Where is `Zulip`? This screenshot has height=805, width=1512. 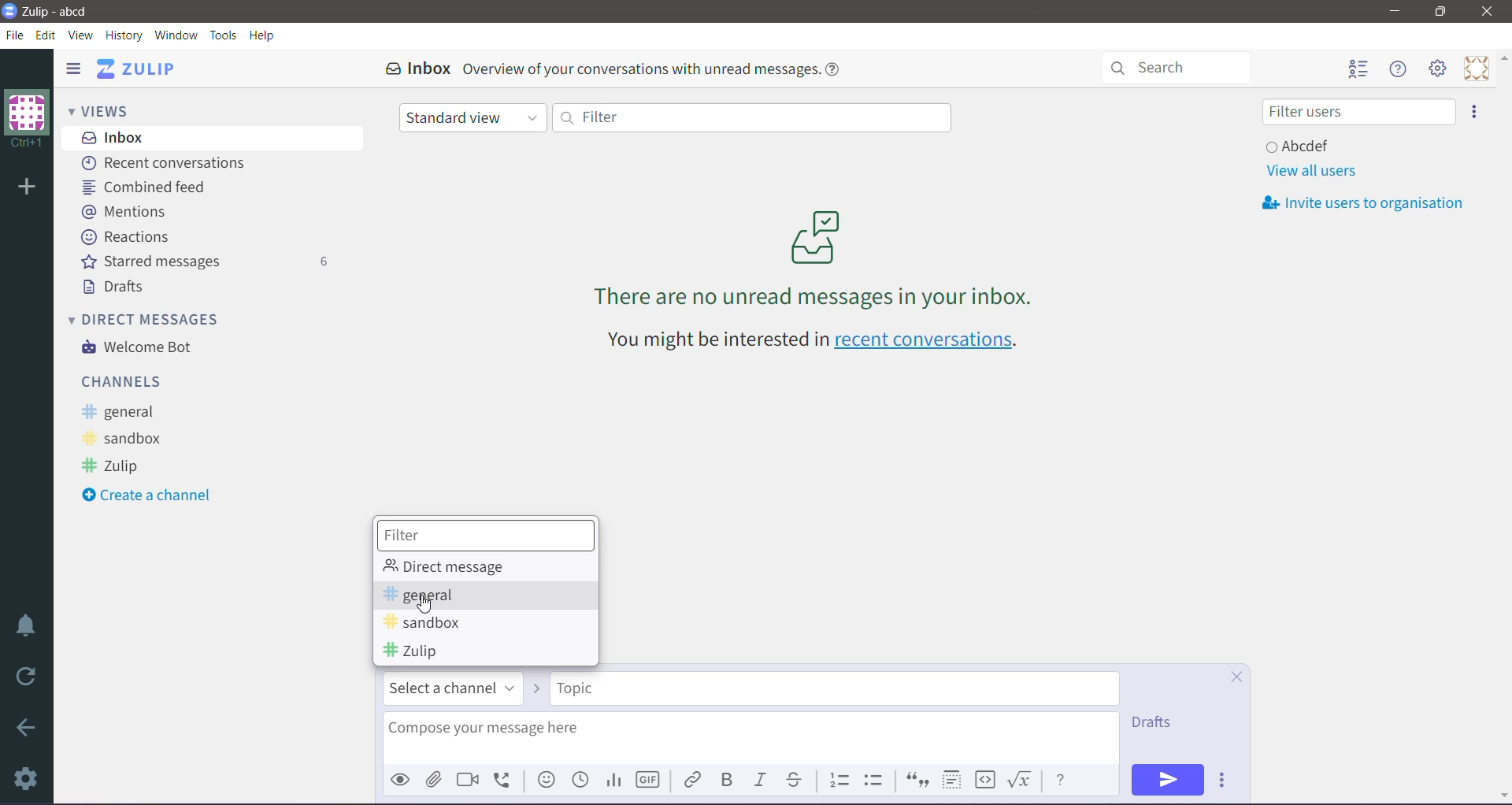
Zulip is located at coordinates (481, 651).